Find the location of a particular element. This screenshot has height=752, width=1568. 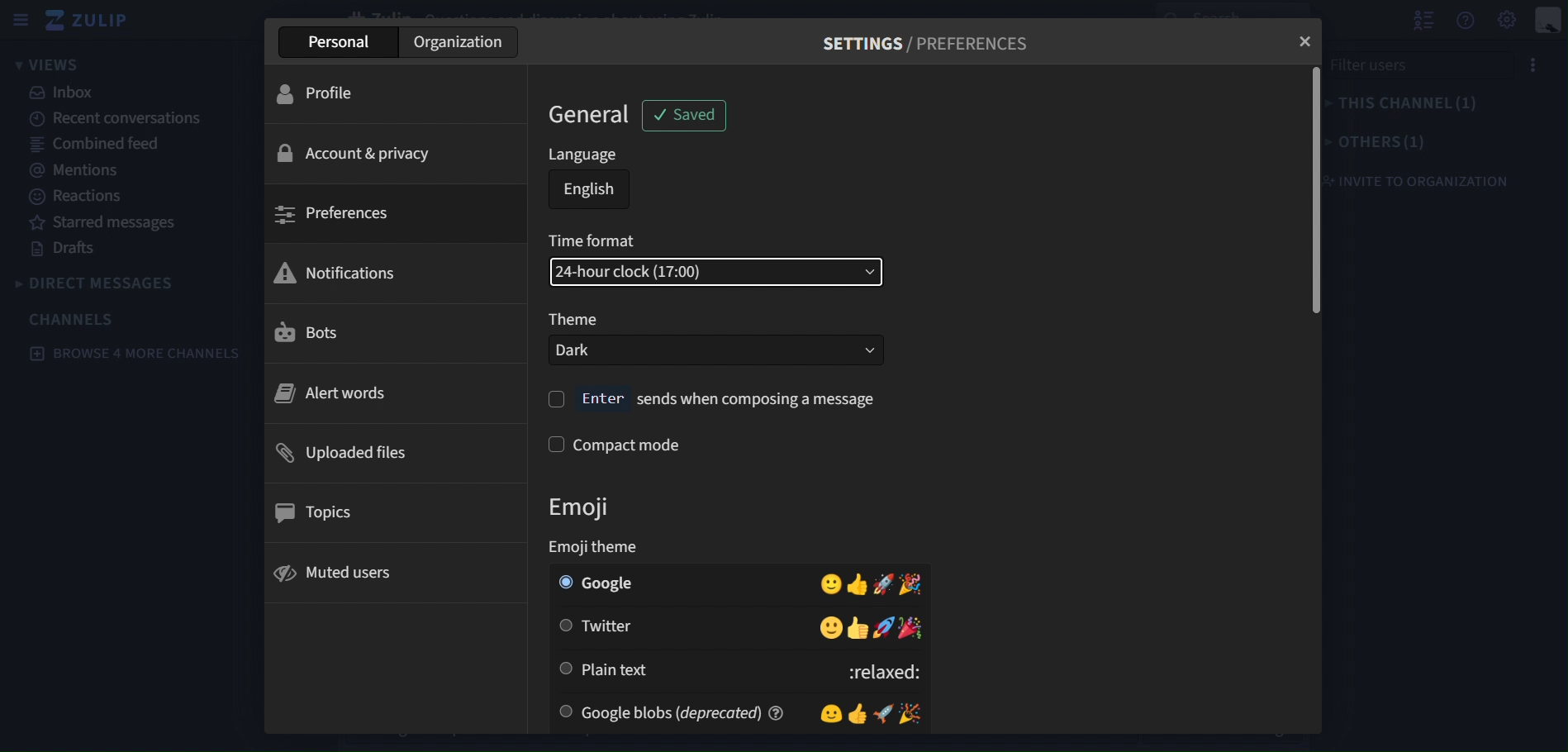

recent conversations is located at coordinates (128, 121).